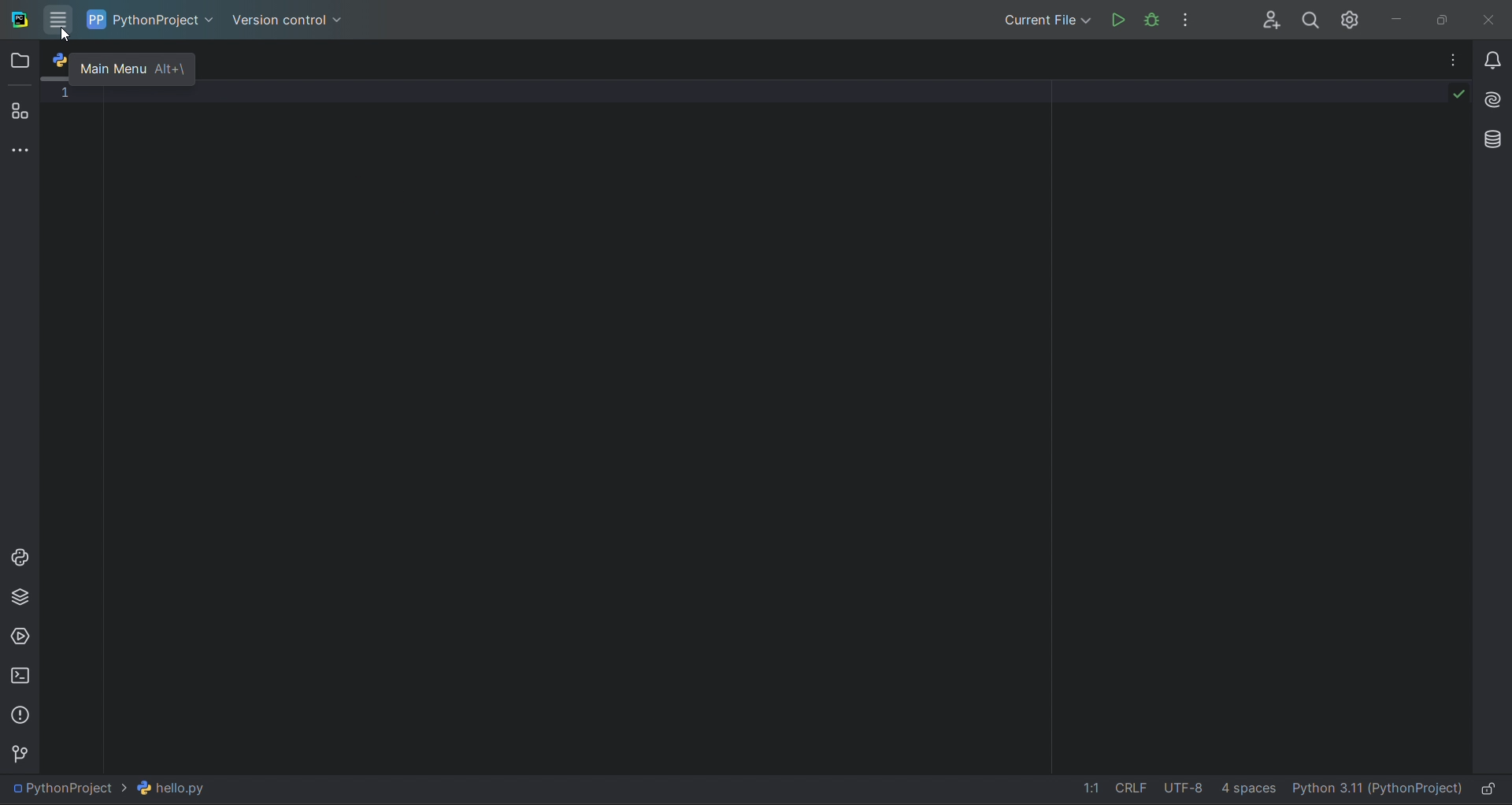 The width and height of the screenshot is (1512, 805). What do you see at coordinates (1266, 19) in the screenshot?
I see `add user` at bounding box center [1266, 19].